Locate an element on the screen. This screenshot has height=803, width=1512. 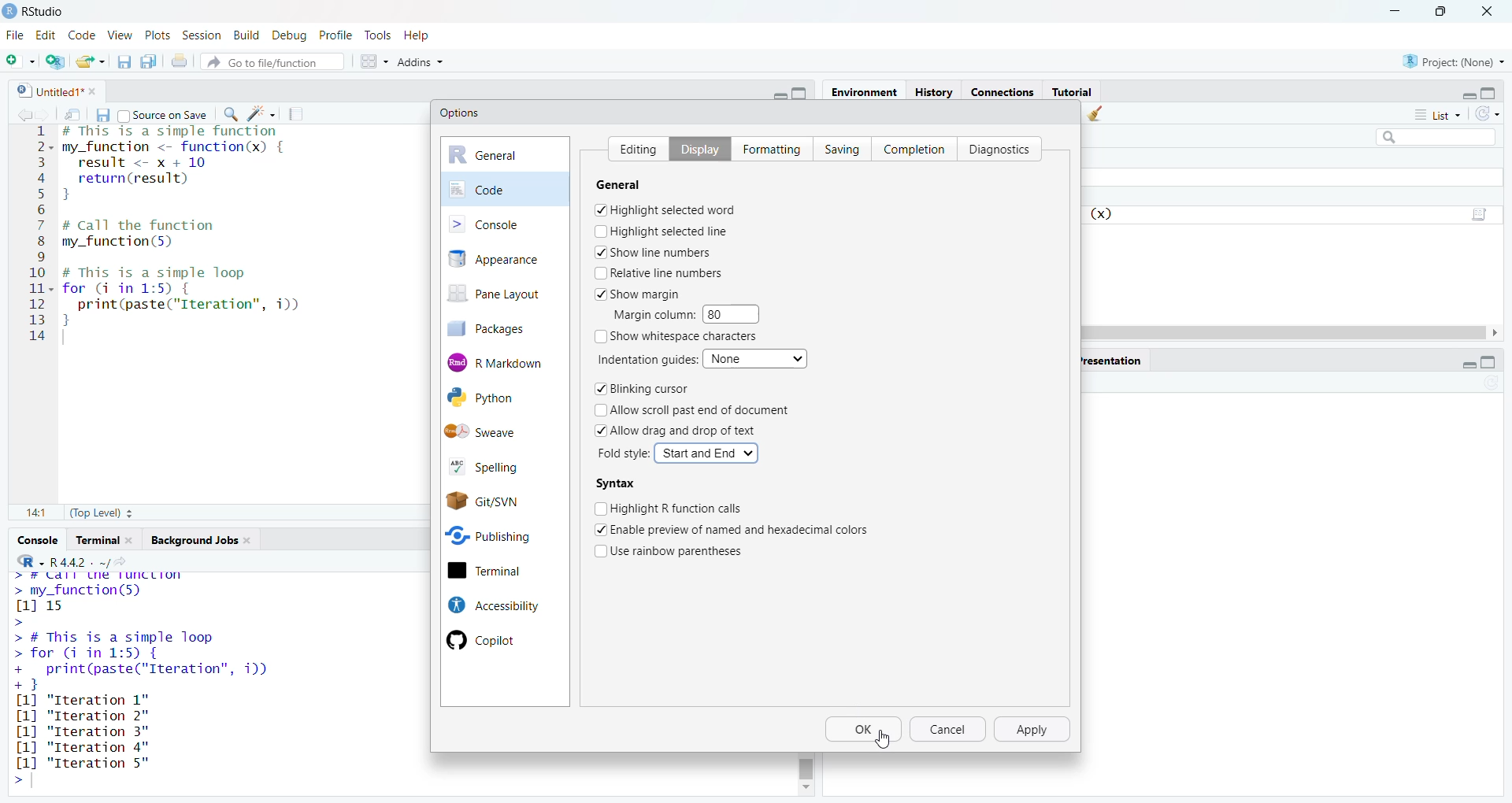
presentation is located at coordinates (1114, 359).